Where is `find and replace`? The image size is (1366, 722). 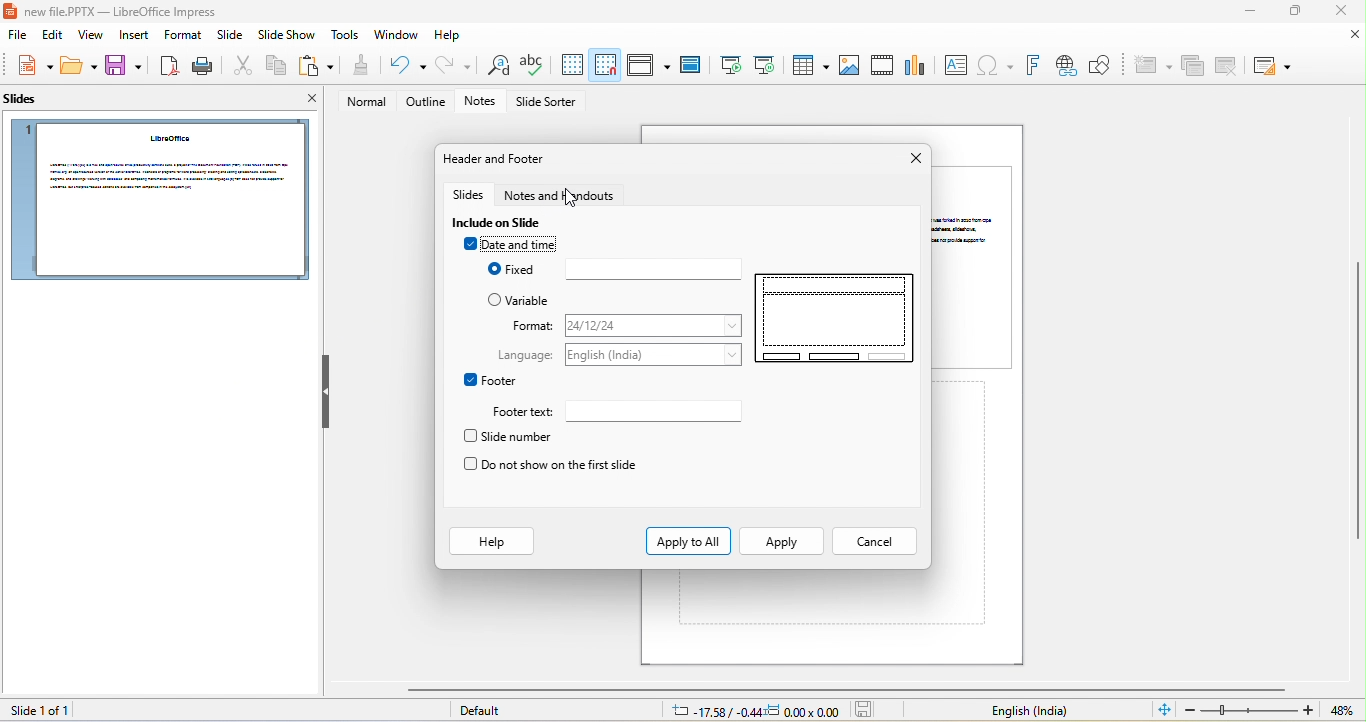 find and replace is located at coordinates (494, 67).